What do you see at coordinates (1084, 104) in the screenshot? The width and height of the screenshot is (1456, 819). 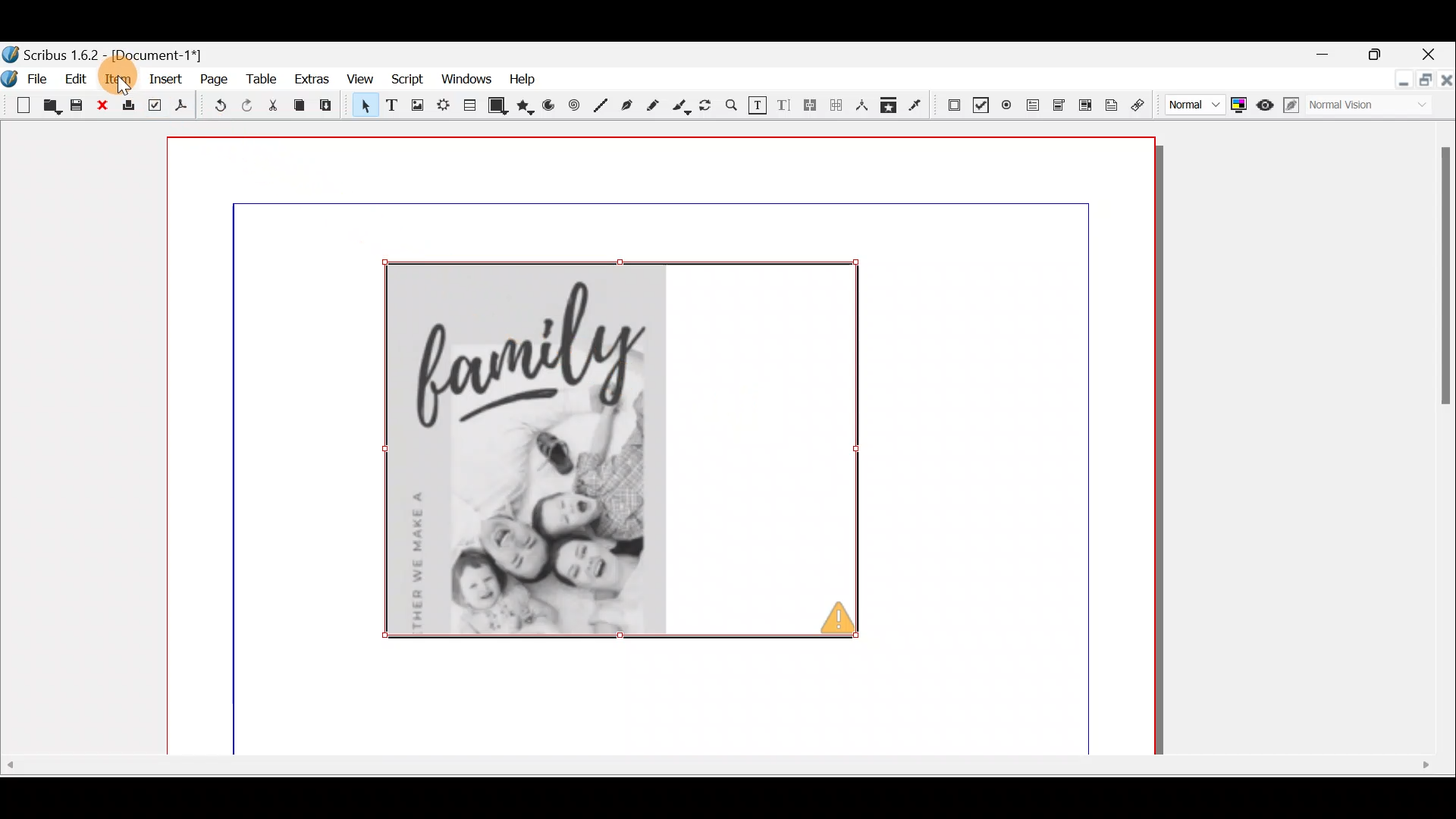 I see `PDF list box` at bounding box center [1084, 104].